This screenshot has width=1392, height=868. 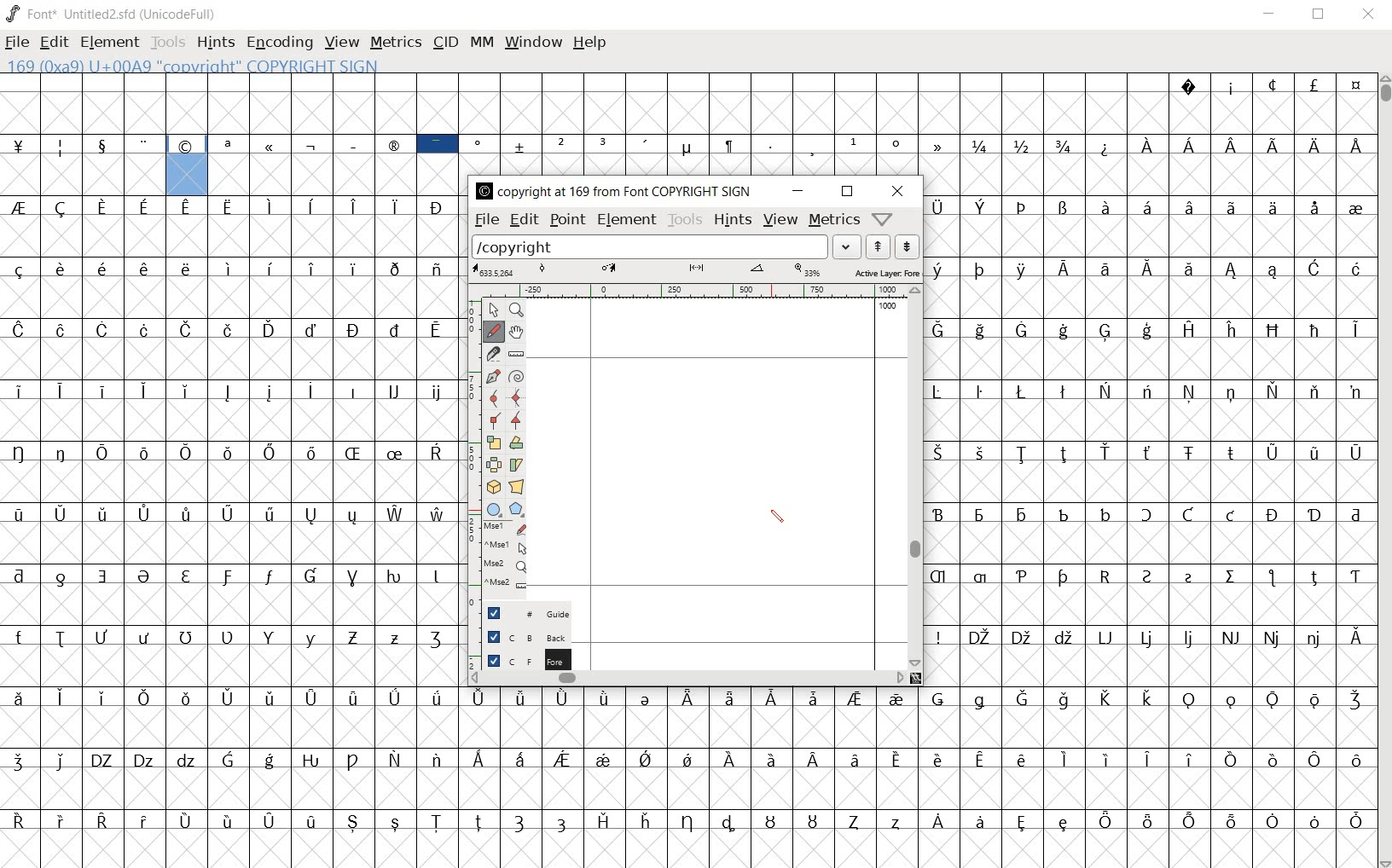 What do you see at coordinates (915, 478) in the screenshot?
I see `scrollbar` at bounding box center [915, 478].